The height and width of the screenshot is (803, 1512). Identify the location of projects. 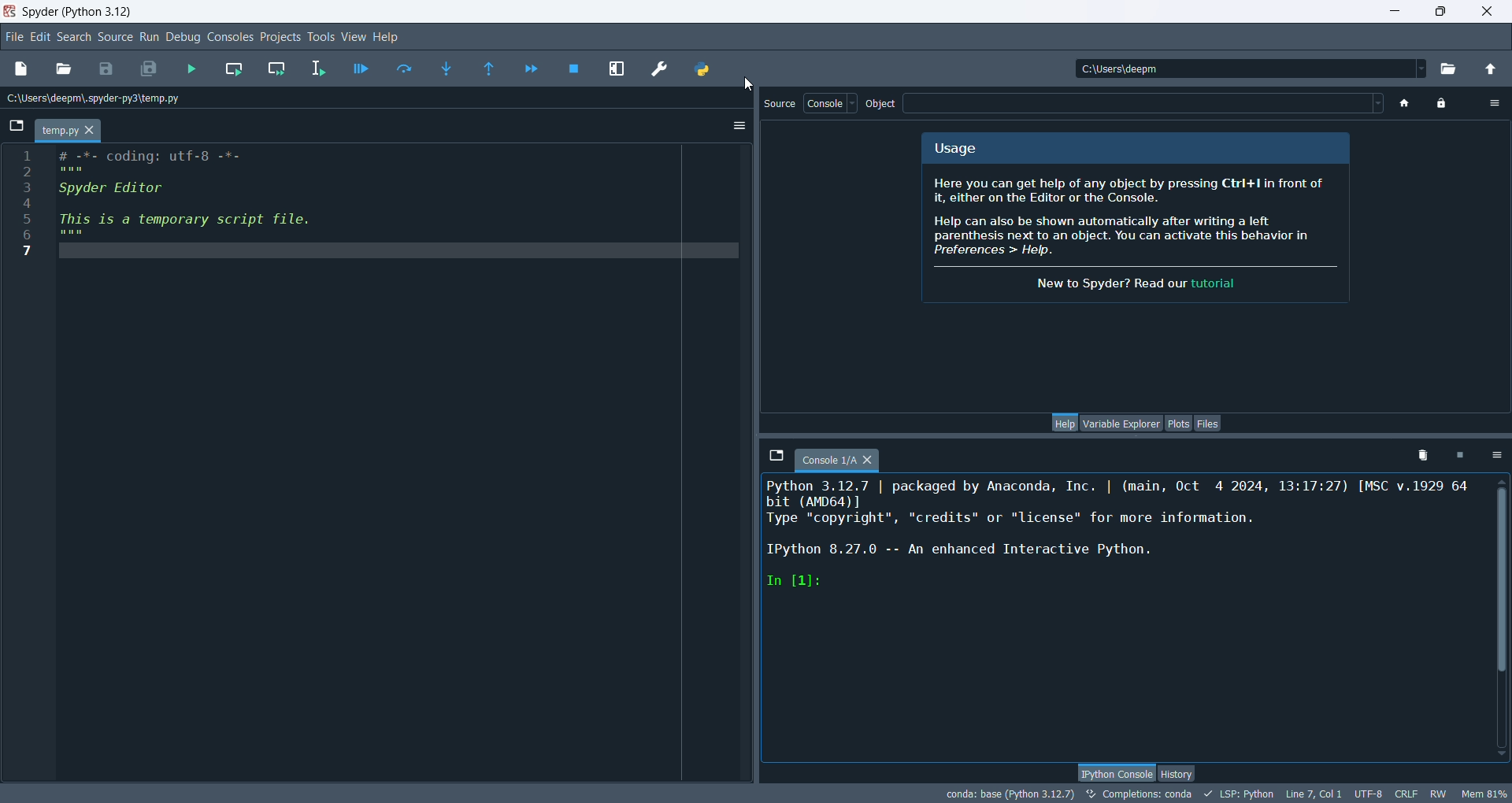
(281, 39).